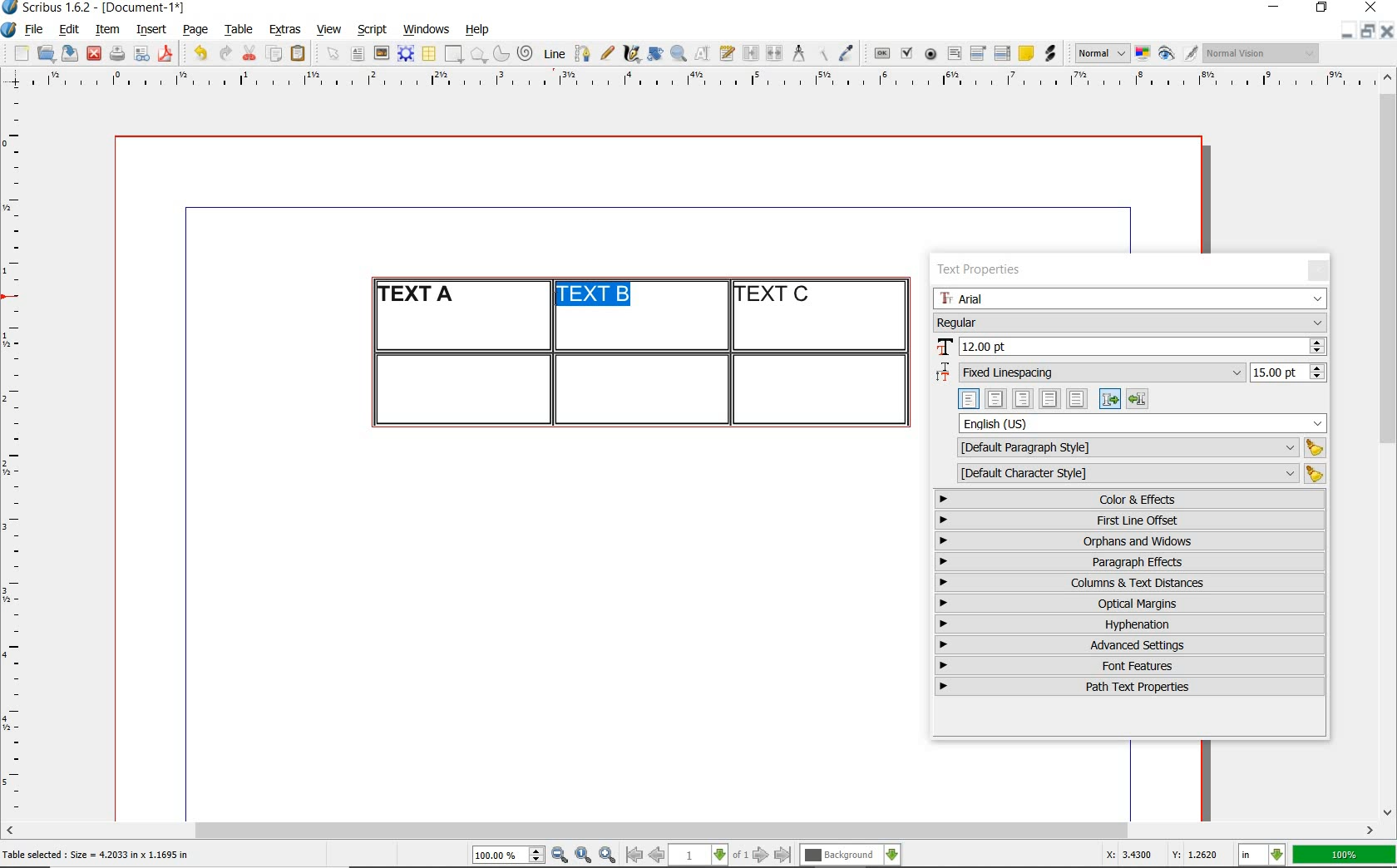 The image size is (1397, 868). What do you see at coordinates (822, 53) in the screenshot?
I see `copy item properties` at bounding box center [822, 53].